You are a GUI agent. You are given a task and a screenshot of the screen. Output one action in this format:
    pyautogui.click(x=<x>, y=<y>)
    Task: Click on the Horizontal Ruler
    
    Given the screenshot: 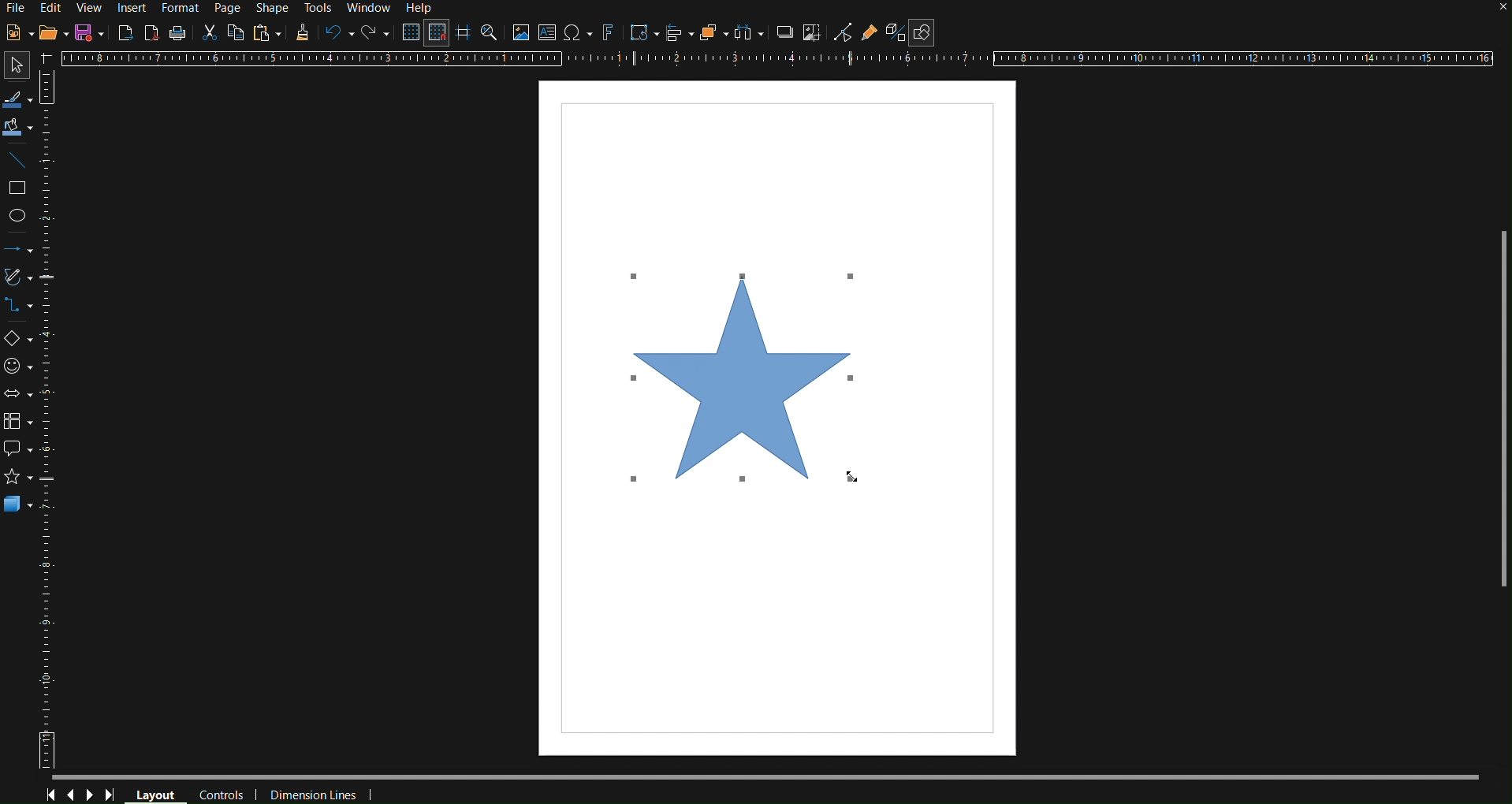 What is the action you would take?
    pyautogui.click(x=776, y=59)
    